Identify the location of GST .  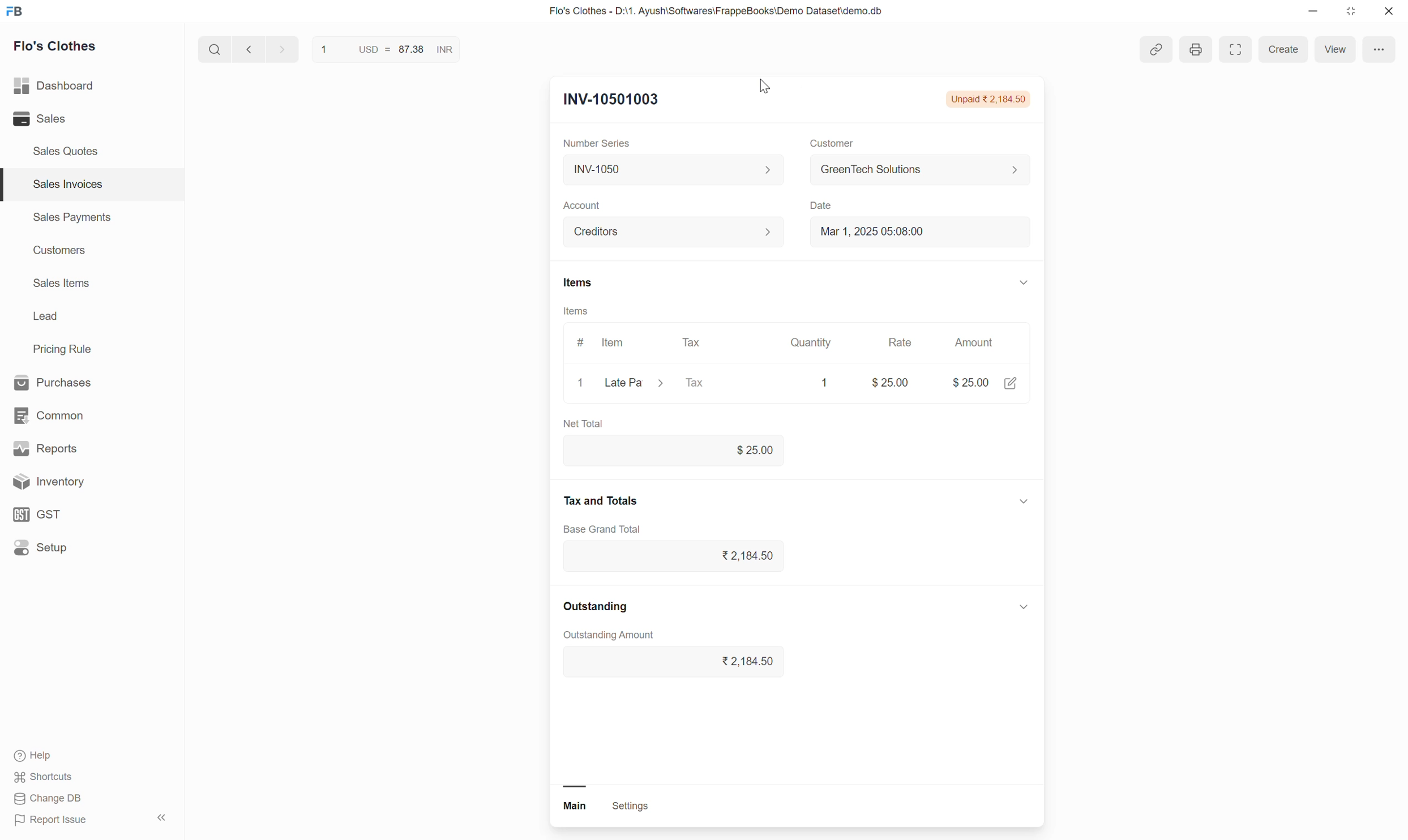
(79, 513).